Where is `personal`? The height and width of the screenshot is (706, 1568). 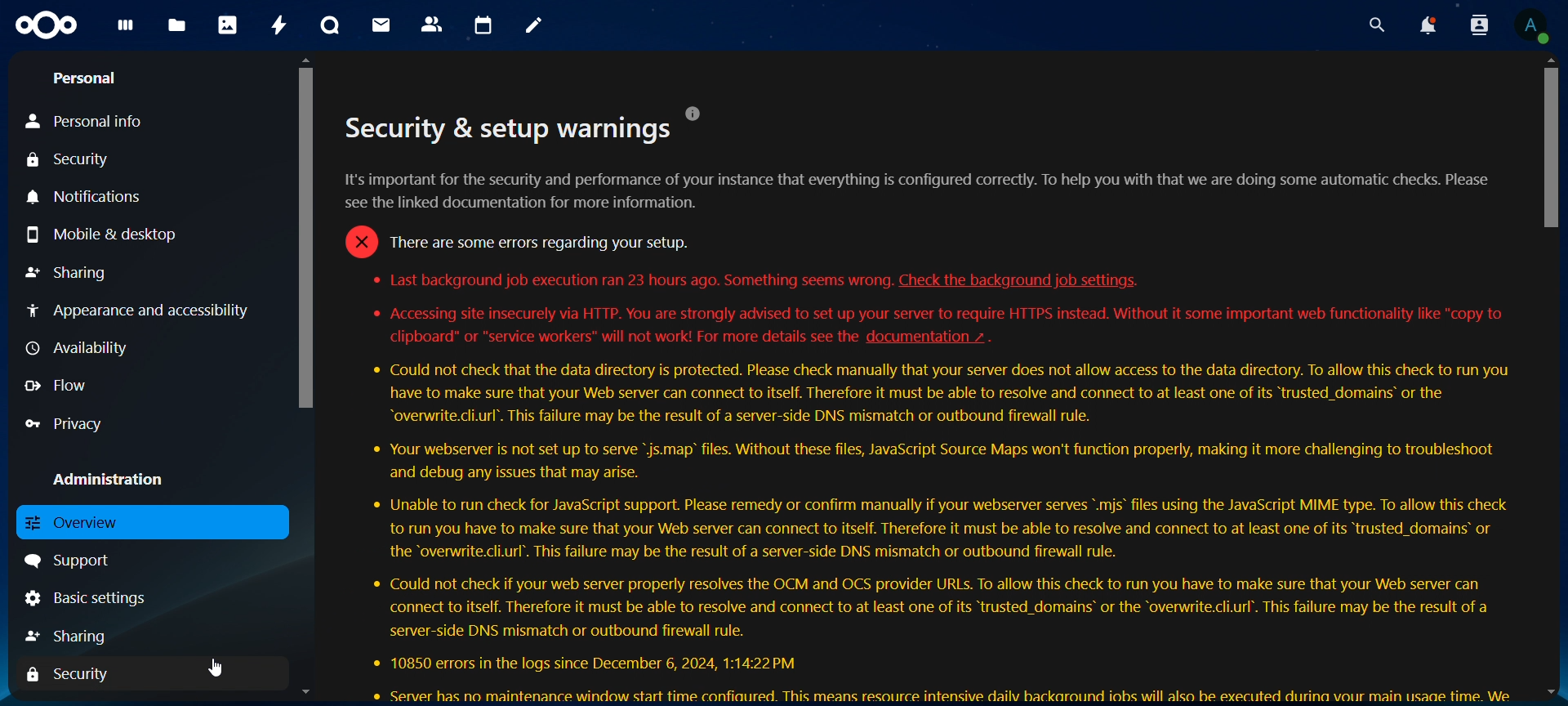 personal is located at coordinates (89, 78).